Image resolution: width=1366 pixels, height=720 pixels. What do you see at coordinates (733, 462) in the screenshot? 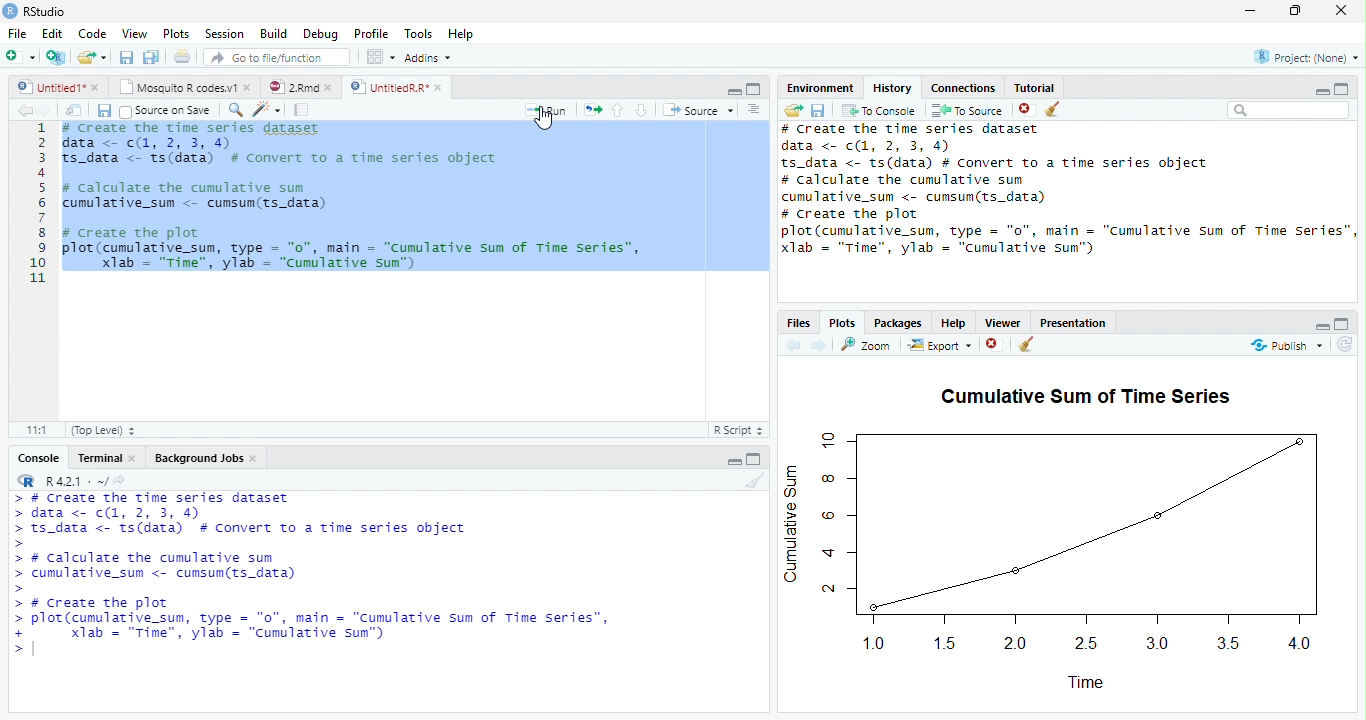
I see `Minimize` at bounding box center [733, 462].